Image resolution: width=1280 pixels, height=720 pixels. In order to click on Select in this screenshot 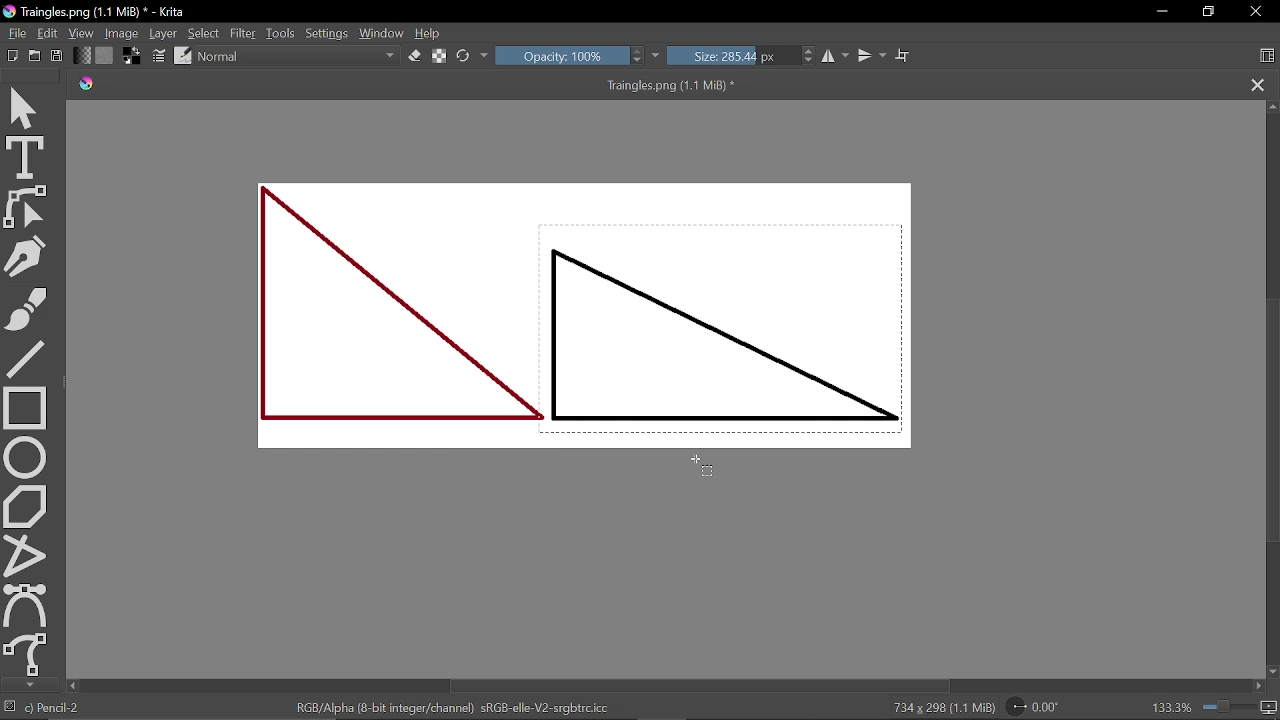, I will do `click(206, 33)`.